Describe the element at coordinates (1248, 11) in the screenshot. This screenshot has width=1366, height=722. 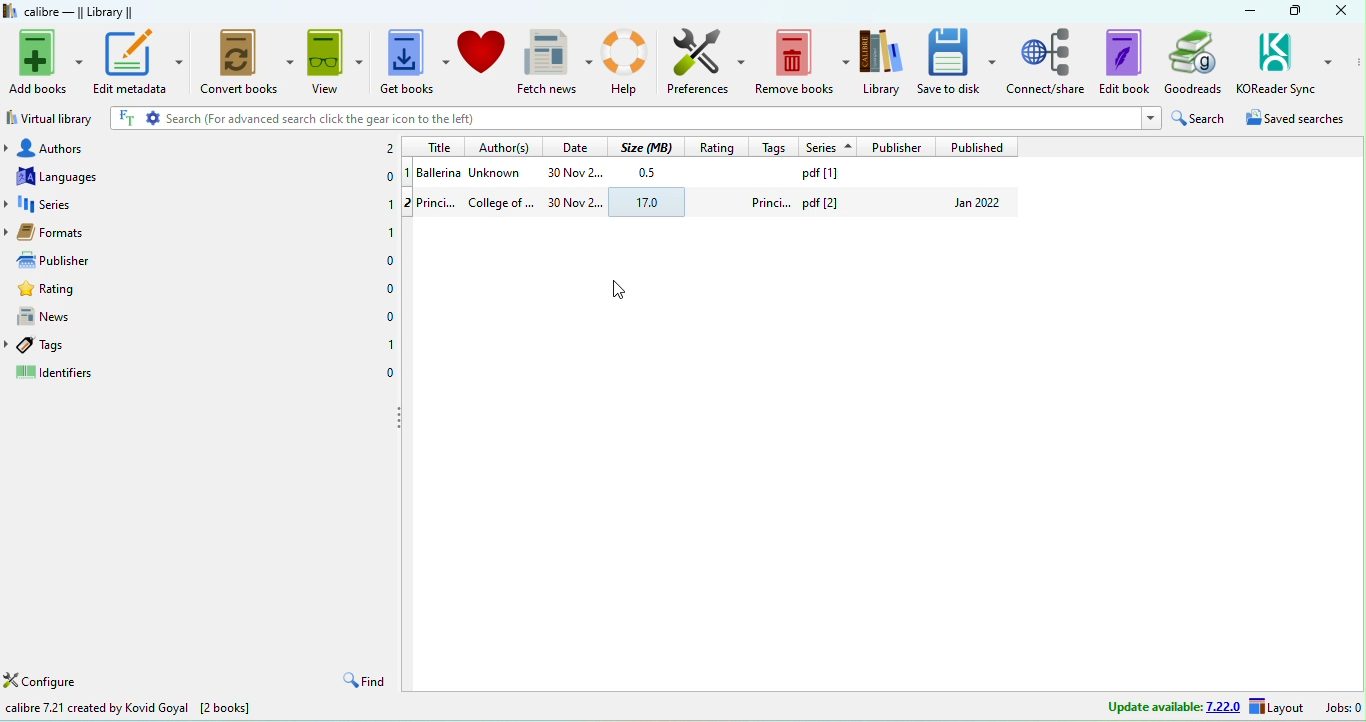
I see `minimize` at that location.